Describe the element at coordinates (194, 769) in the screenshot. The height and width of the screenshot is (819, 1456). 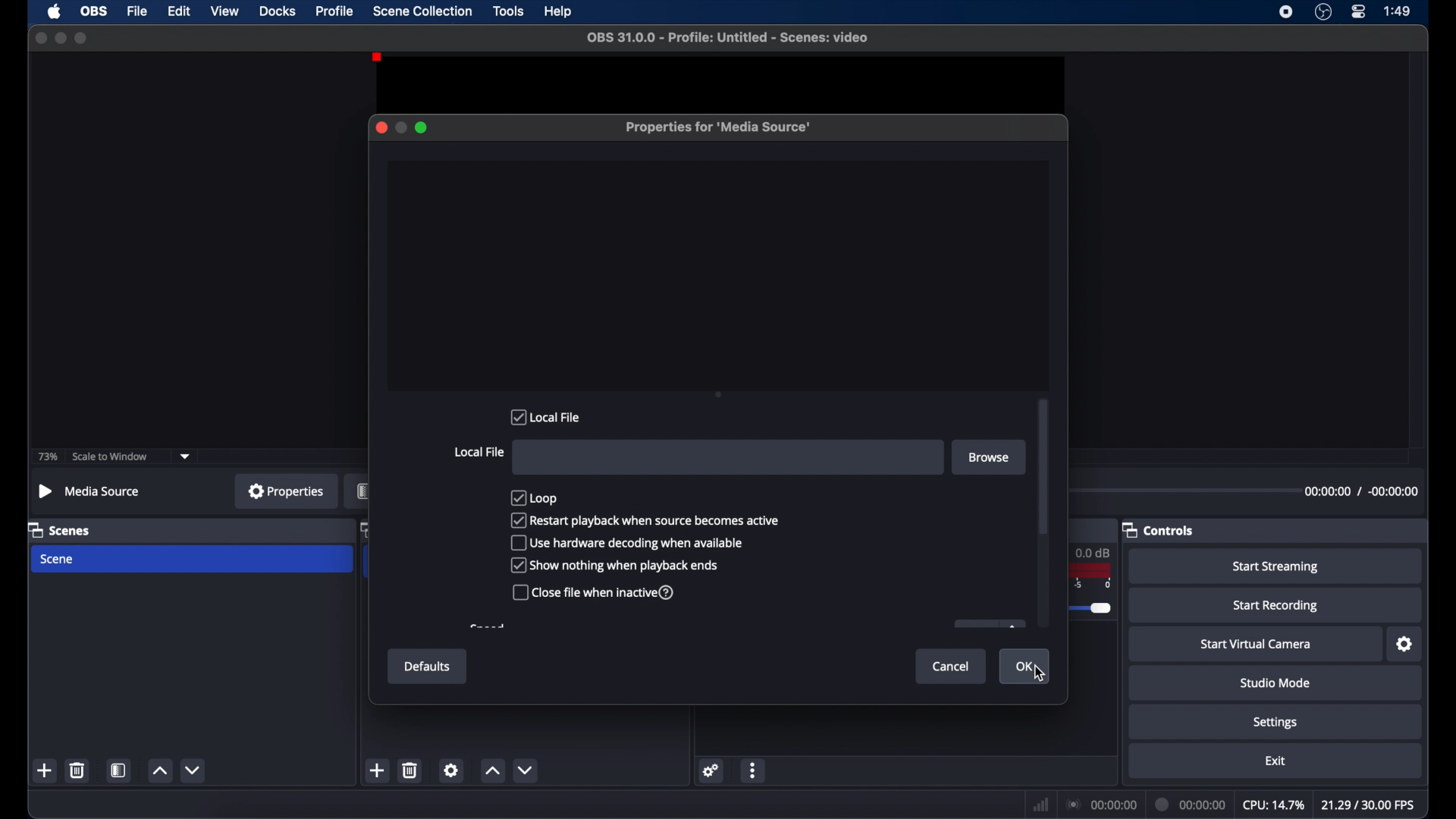
I see `decrement` at that location.